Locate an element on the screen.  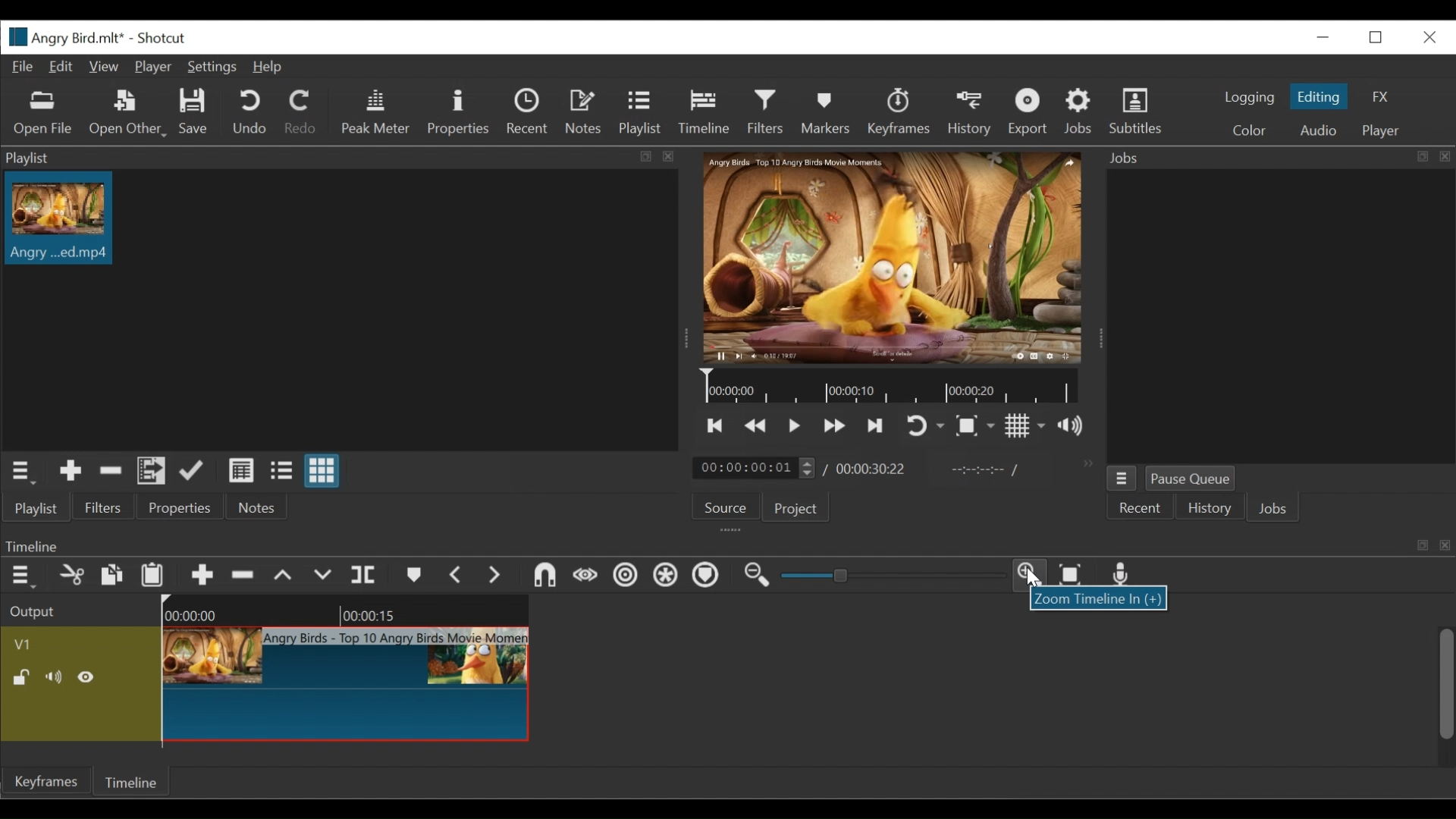
Markers is located at coordinates (827, 114).